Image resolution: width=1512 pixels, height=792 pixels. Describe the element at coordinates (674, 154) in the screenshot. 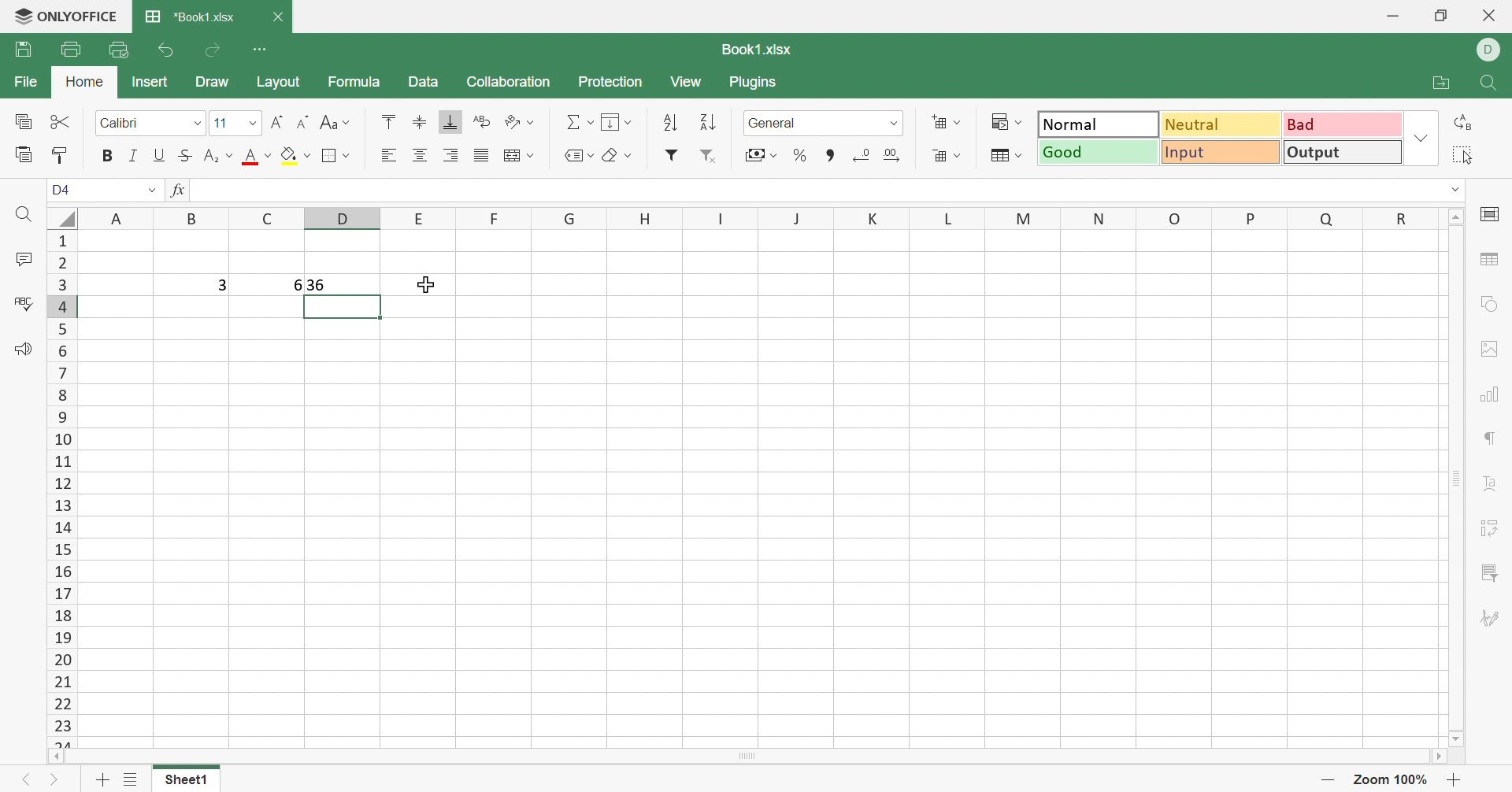

I see `Filter` at that location.